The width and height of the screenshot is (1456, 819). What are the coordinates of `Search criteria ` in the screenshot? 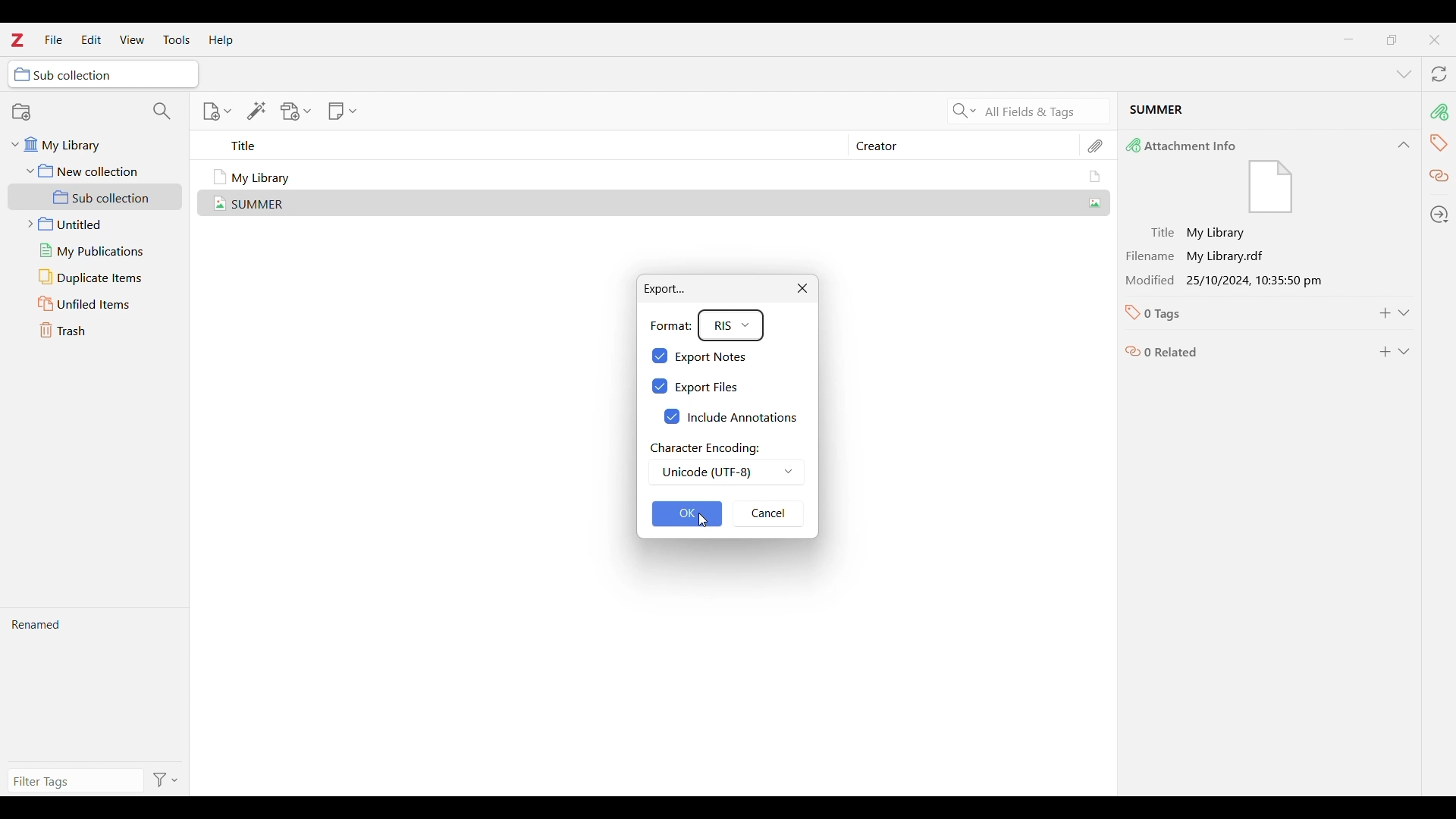 It's located at (964, 111).